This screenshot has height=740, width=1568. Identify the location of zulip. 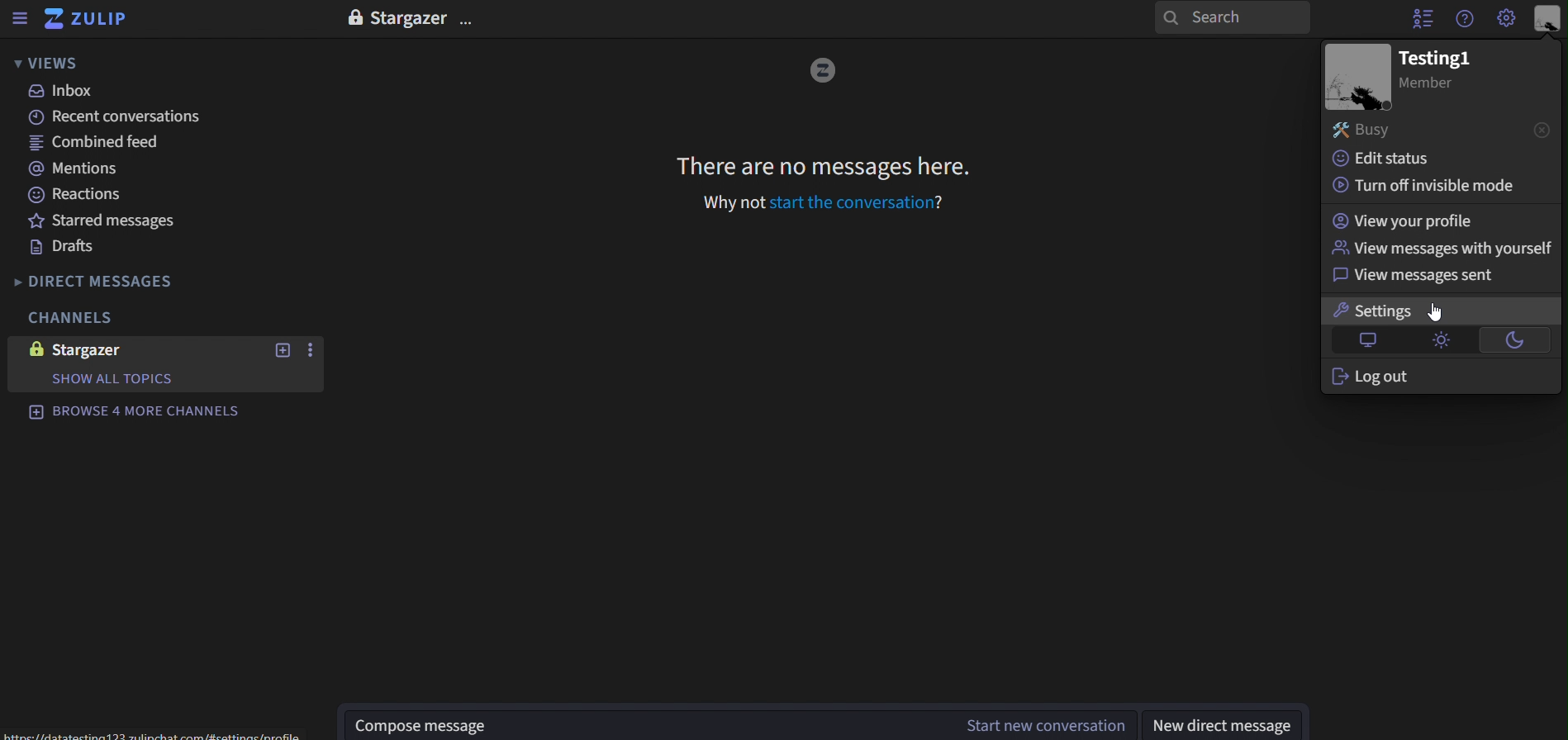
(93, 20).